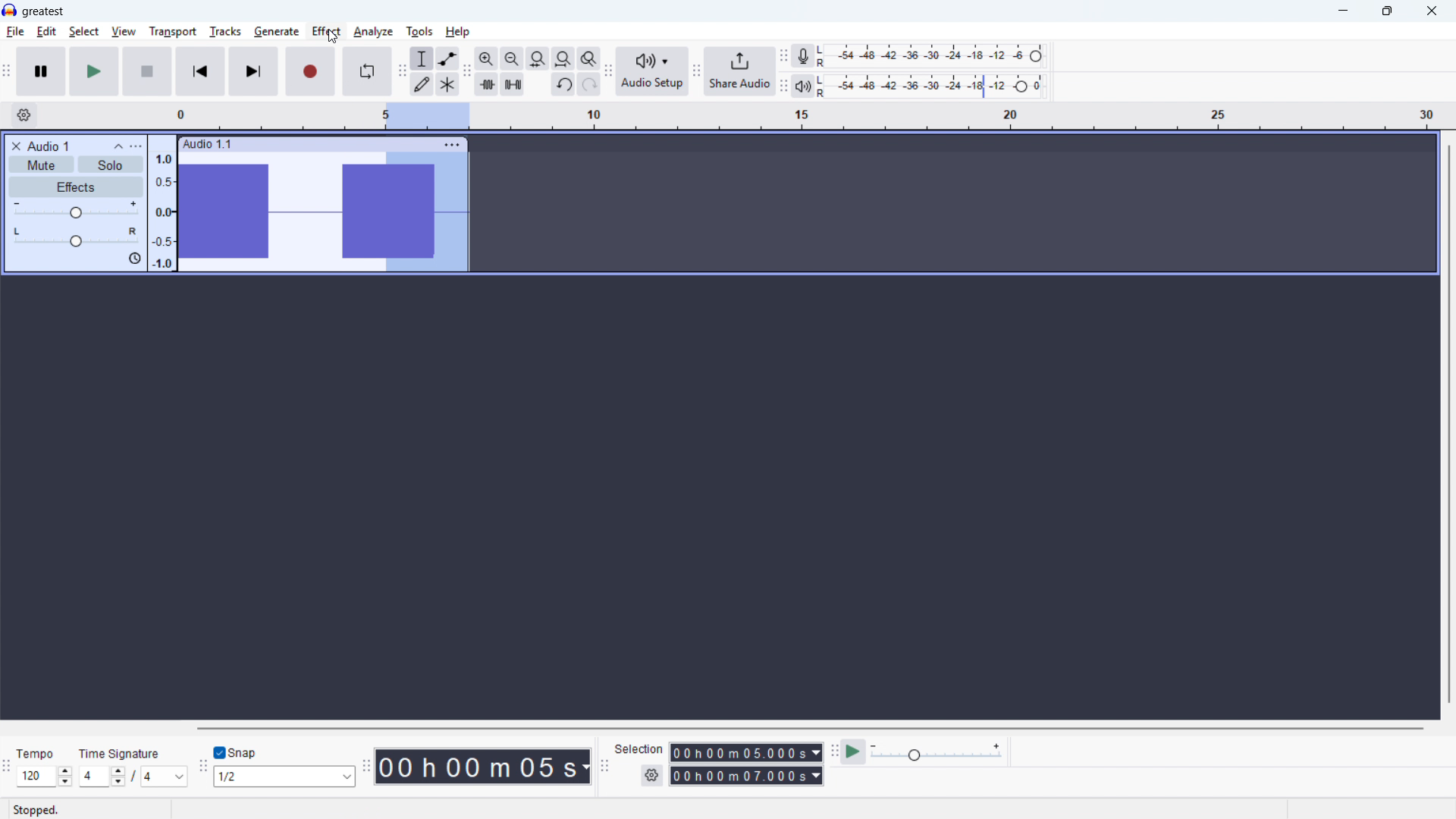  I want to click on Undo , so click(563, 84).